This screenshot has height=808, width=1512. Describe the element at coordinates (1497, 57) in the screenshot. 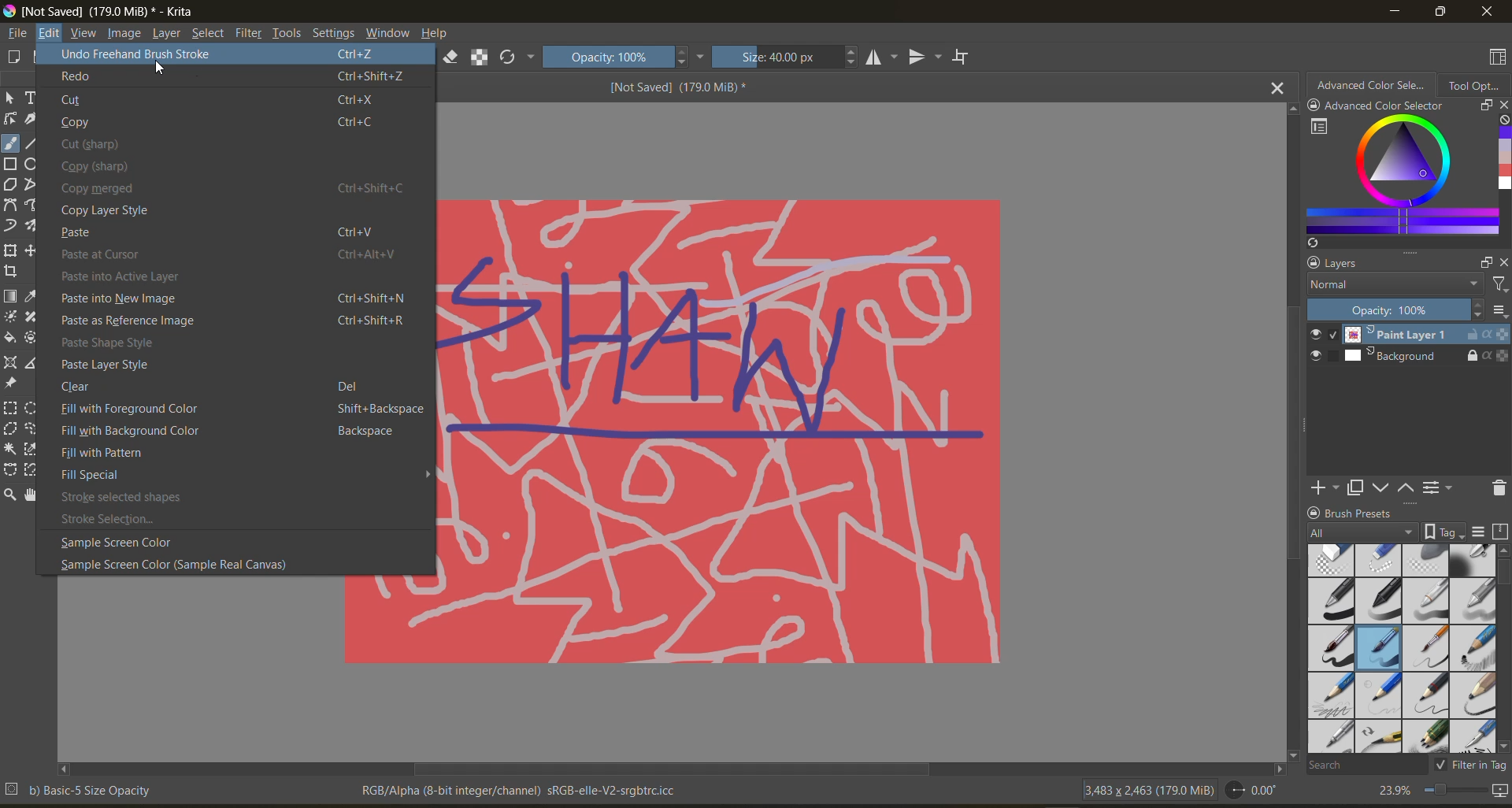

I see `choose workspace` at that location.